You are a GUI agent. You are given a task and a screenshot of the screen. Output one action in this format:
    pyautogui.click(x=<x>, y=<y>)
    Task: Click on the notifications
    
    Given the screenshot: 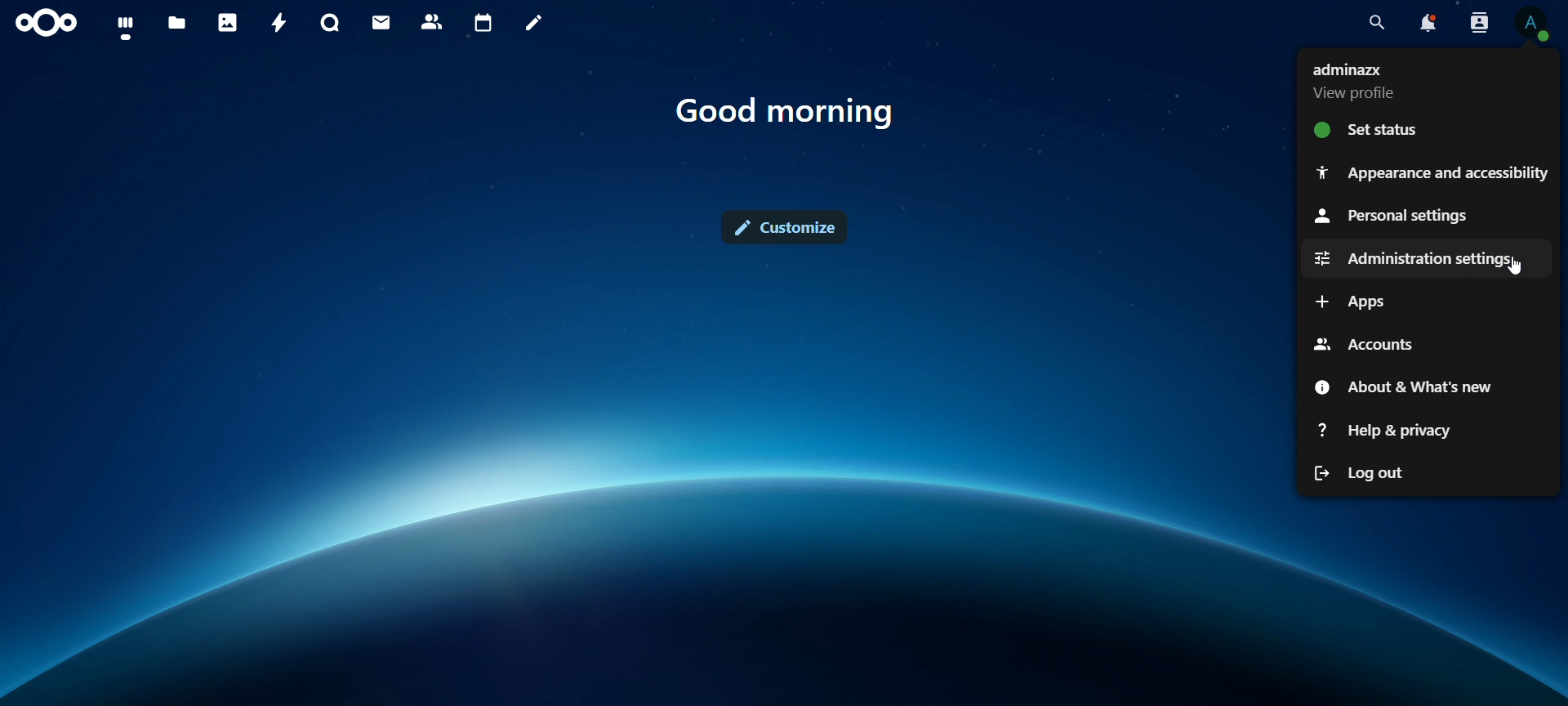 What is the action you would take?
    pyautogui.click(x=1428, y=23)
    